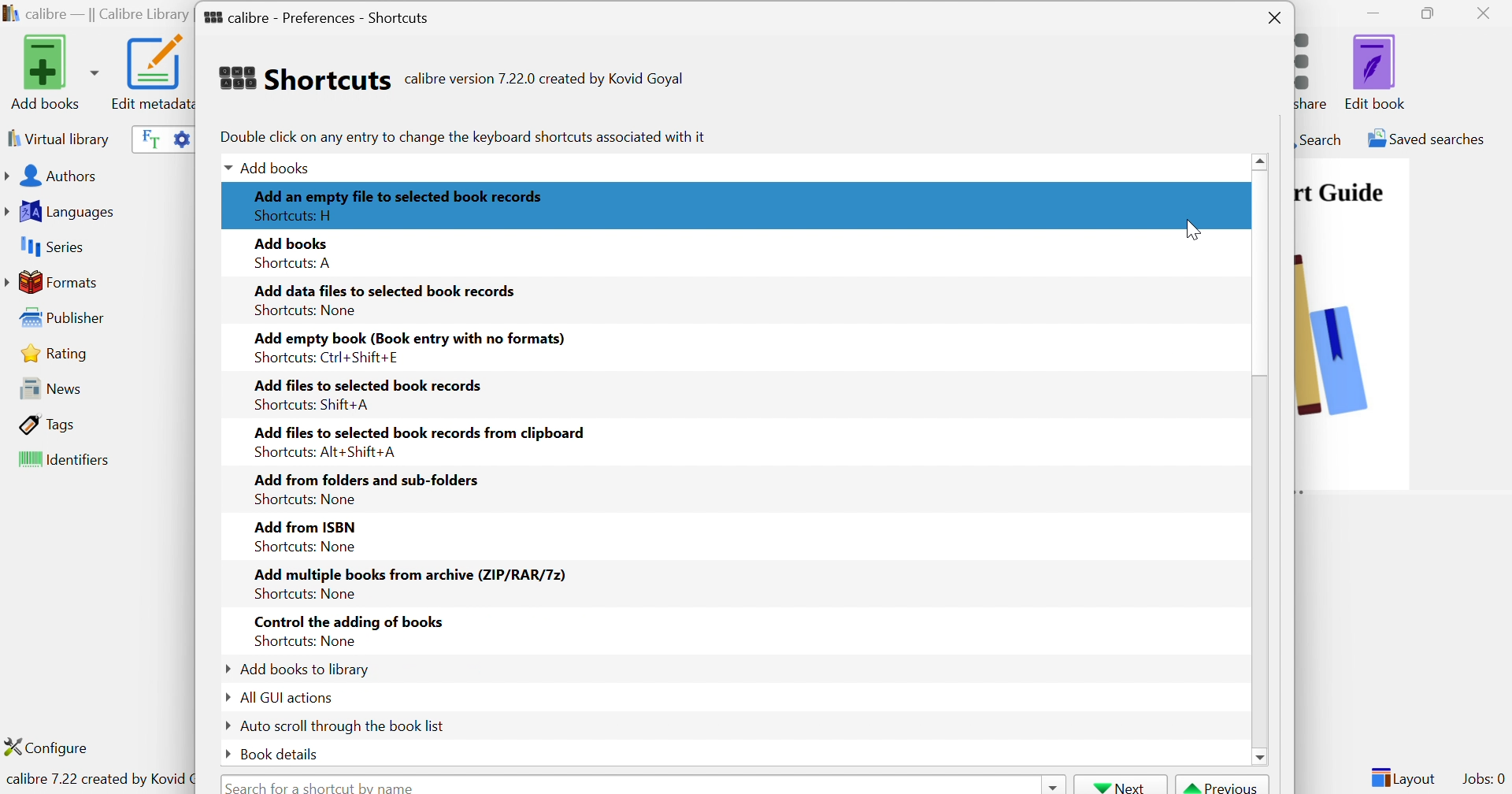 The height and width of the screenshot is (794, 1512). Describe the element at coordinates (1484, 780) in the screenshot. I see `Jobs: 0` at that location.